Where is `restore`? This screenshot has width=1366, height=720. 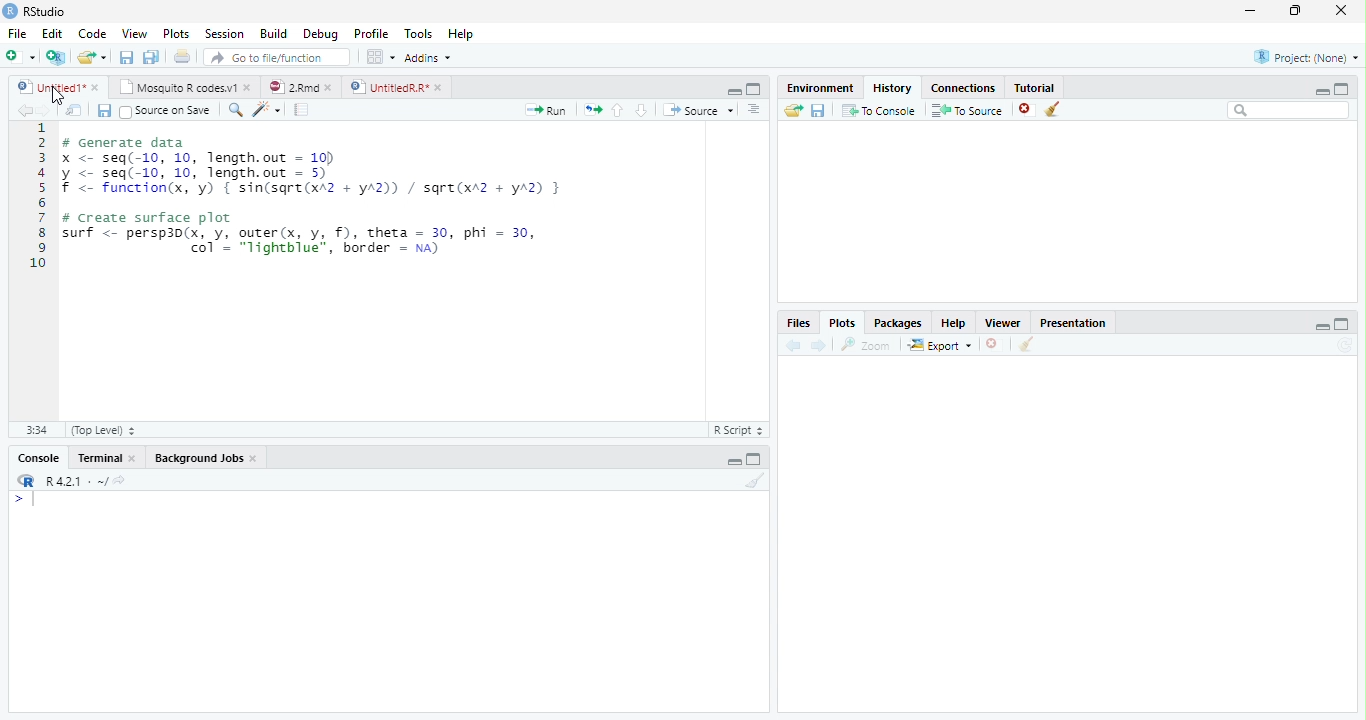 restore is located at coordinates (1295, 10).